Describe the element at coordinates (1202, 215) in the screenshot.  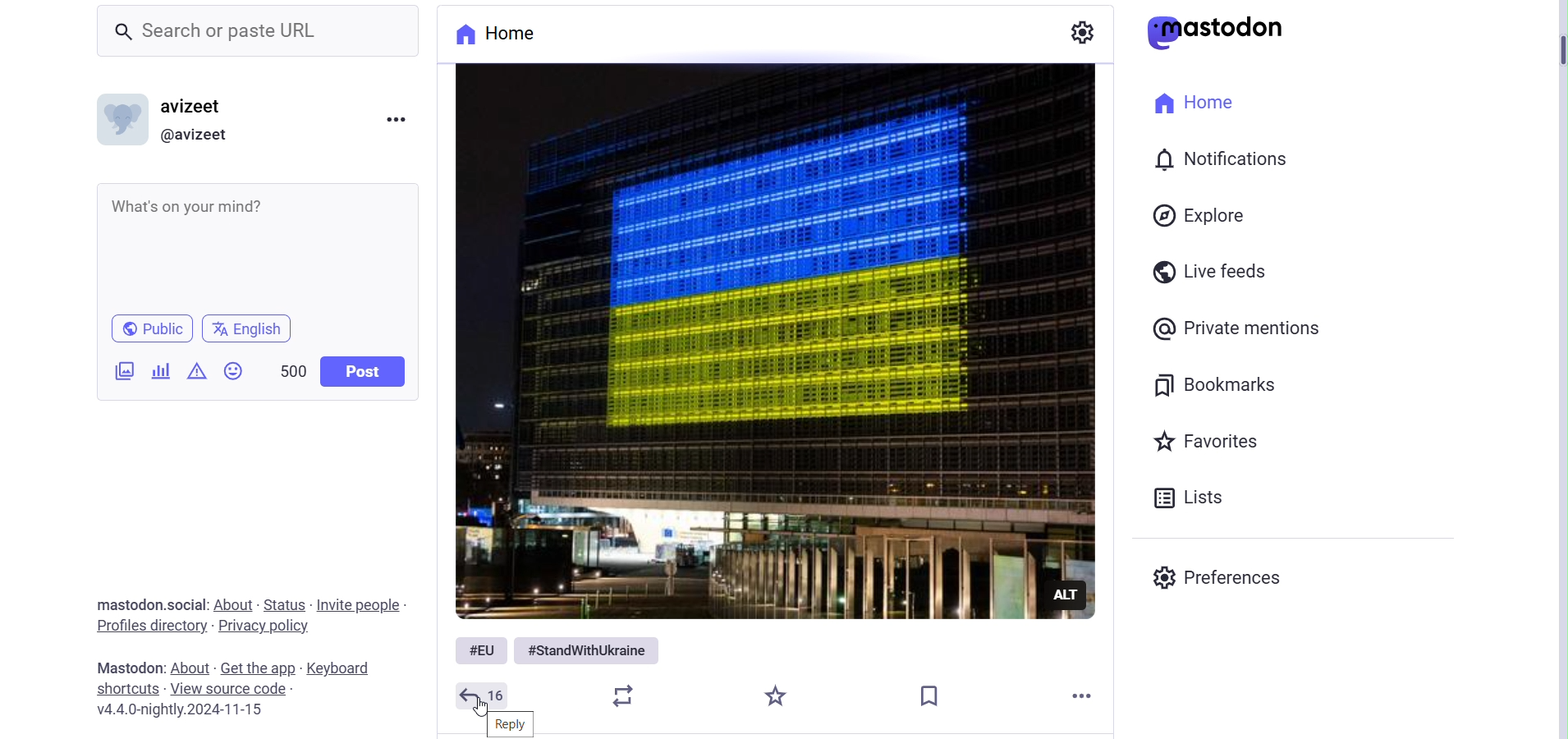
I see `Explore` at that location.